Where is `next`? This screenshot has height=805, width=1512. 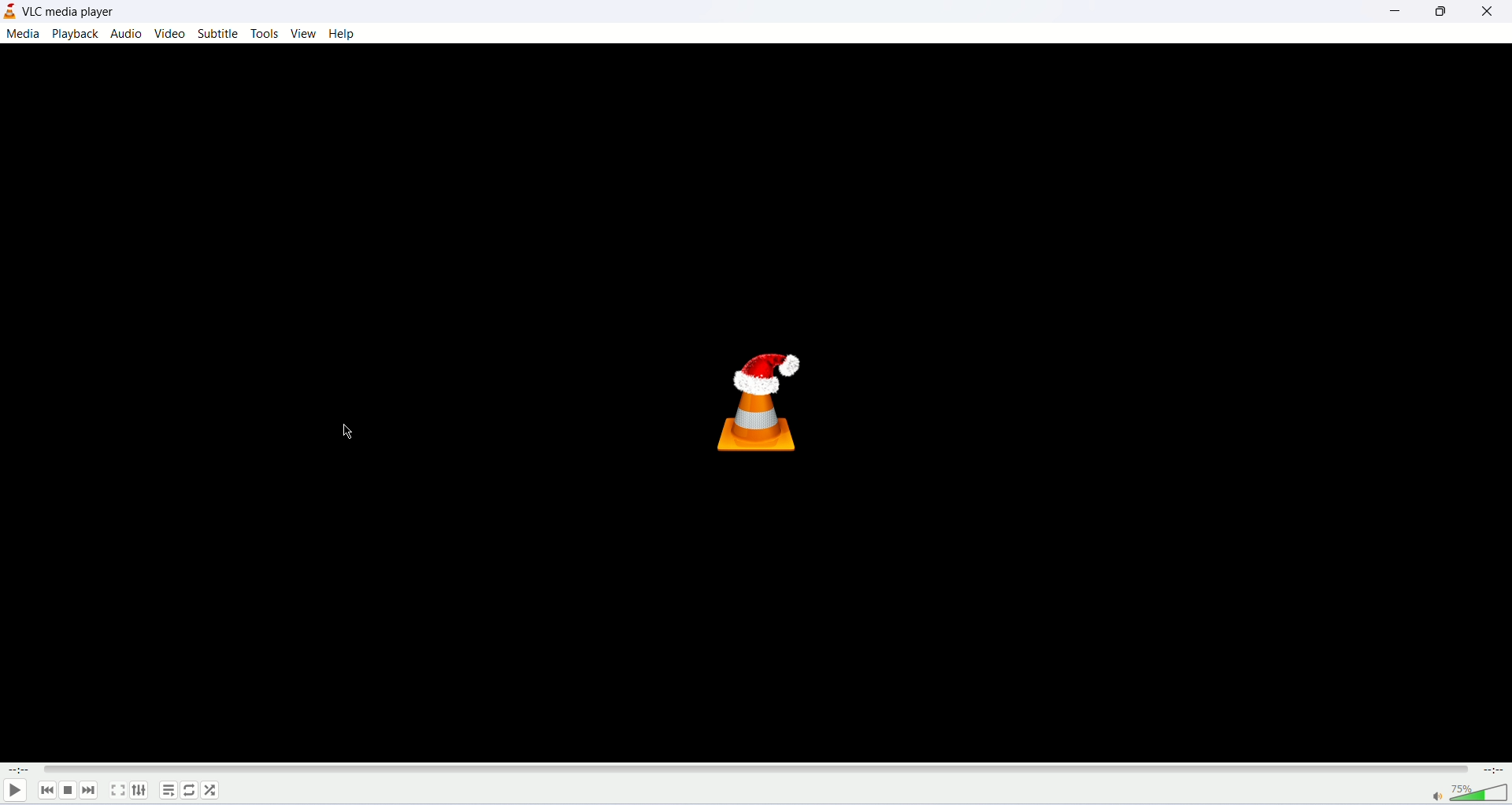
next is located at coordinates (92, 790).